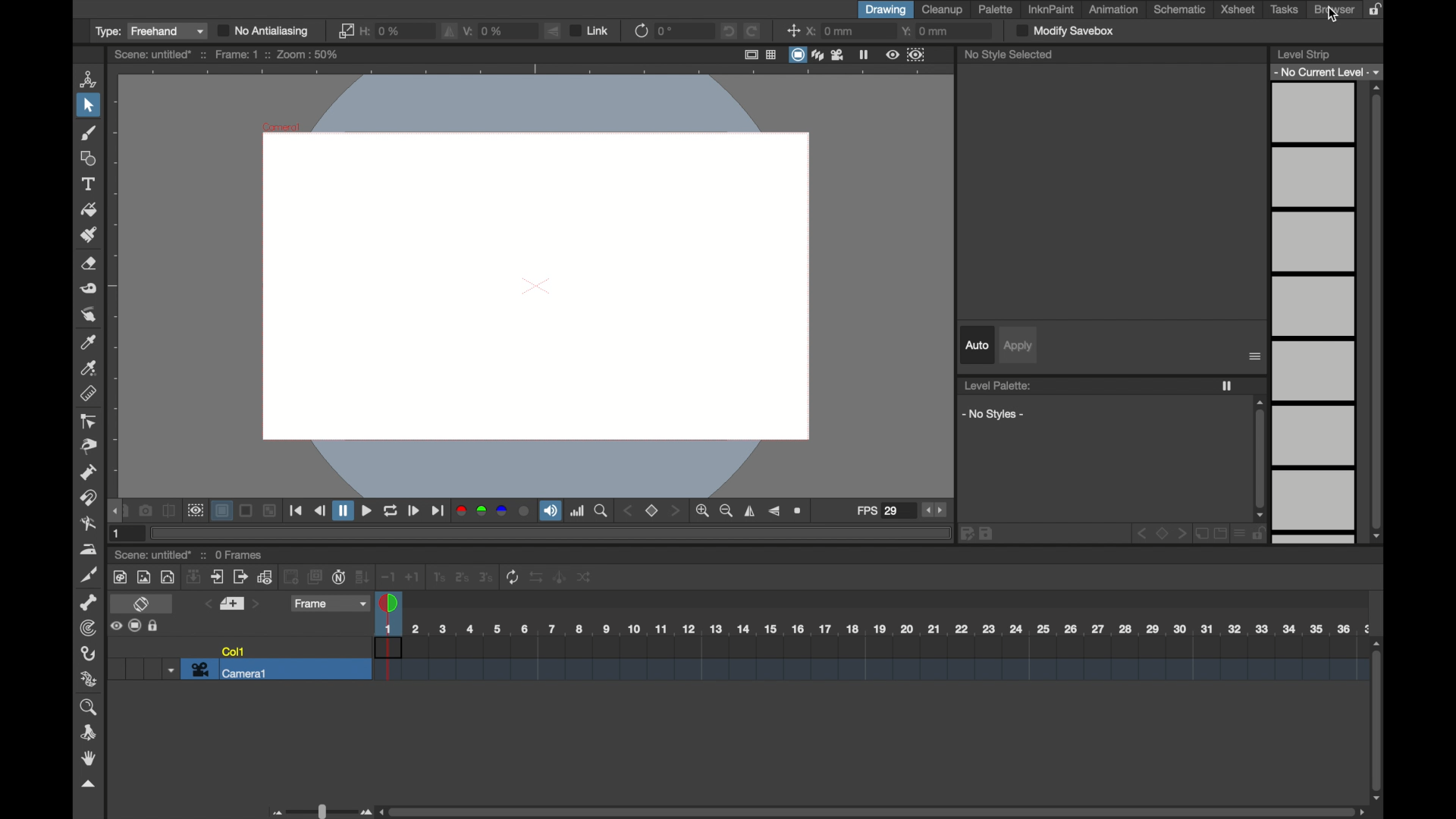  I want to click on no style selected, so click(1009, 55).